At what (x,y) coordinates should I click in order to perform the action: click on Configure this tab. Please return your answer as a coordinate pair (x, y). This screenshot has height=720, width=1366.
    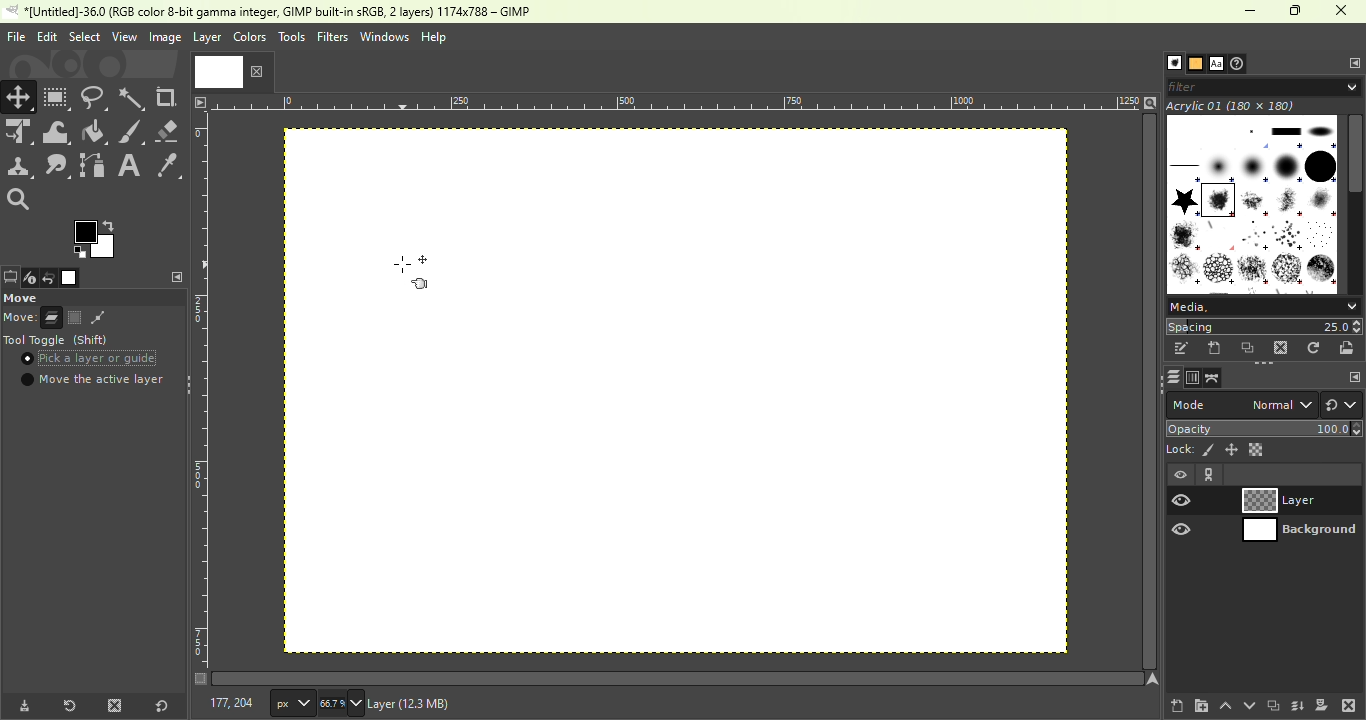
    Looking at the image, I should click on (1349, 376).